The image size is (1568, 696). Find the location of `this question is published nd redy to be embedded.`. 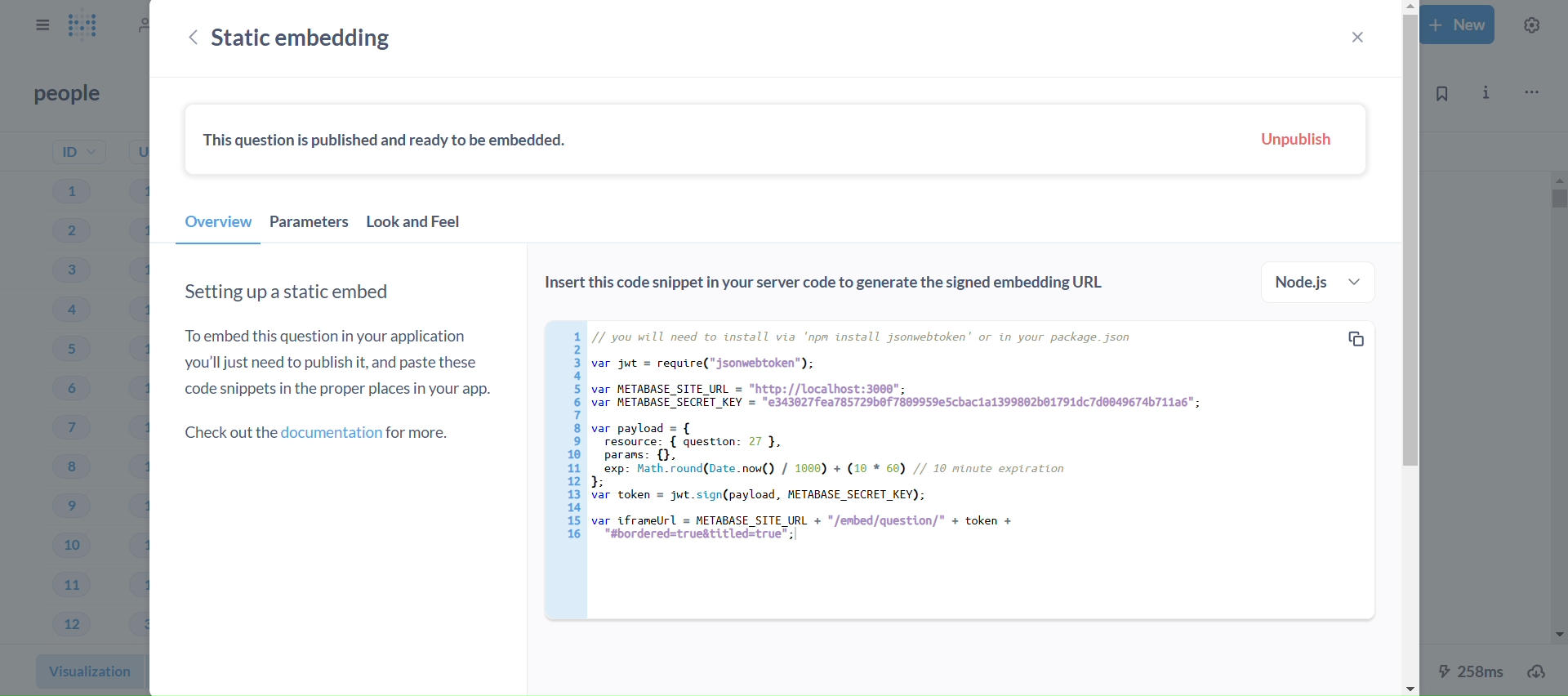

this question is published nd redy to be embedded. is located at coordinates (389, 141).